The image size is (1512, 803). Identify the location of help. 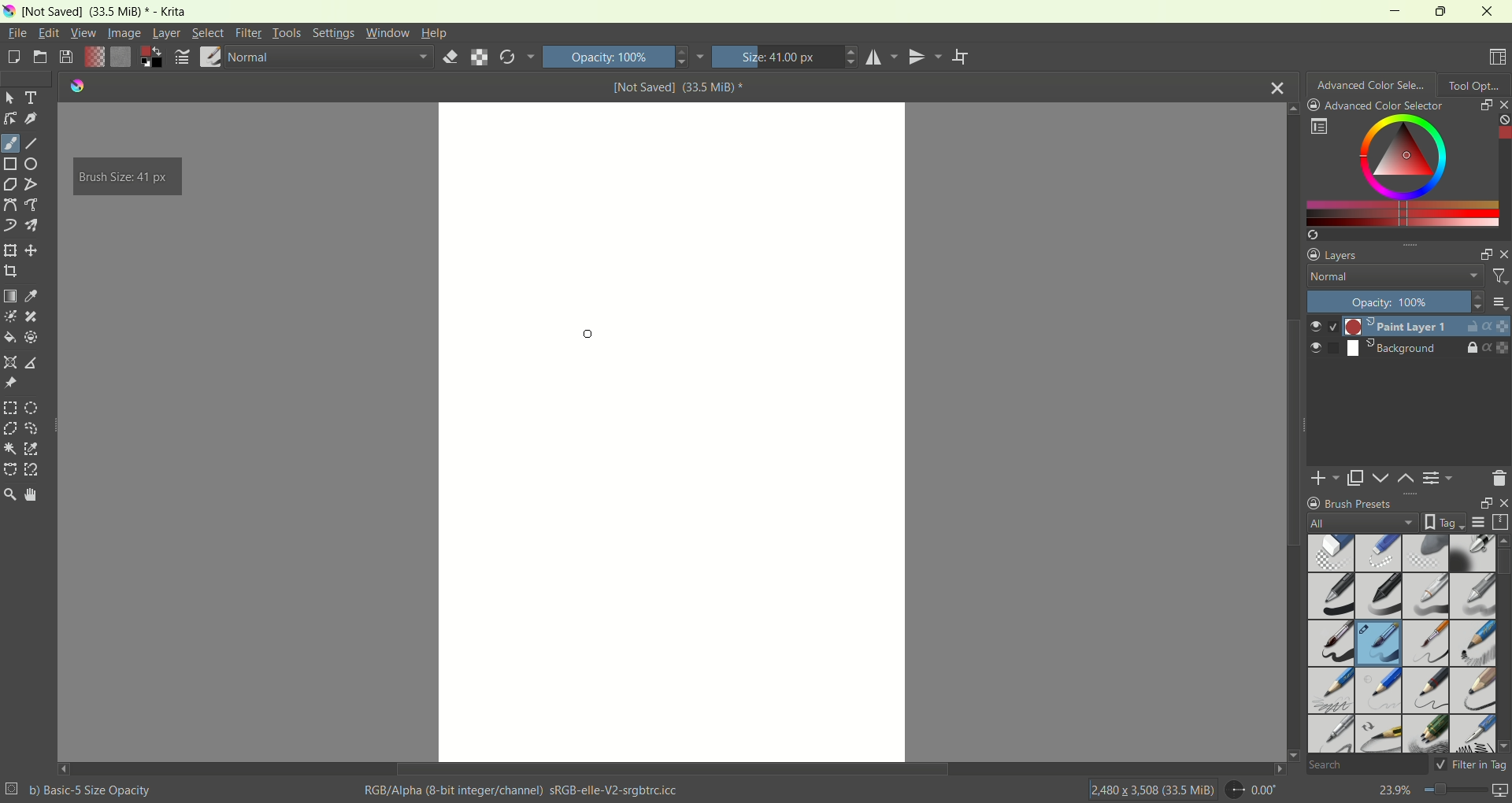
(435, 35).